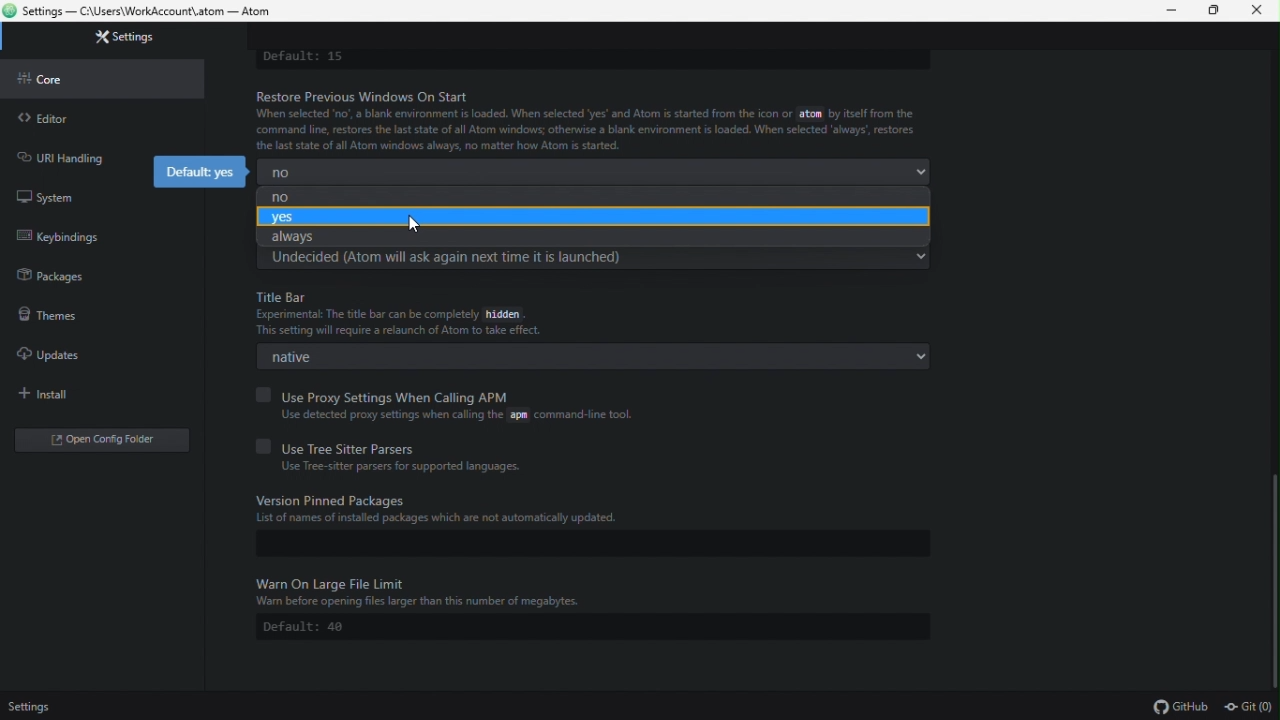 Image resolution: width=1280 pixels, height=720 pixels. I want to click on open config editor, so click(100, 439).